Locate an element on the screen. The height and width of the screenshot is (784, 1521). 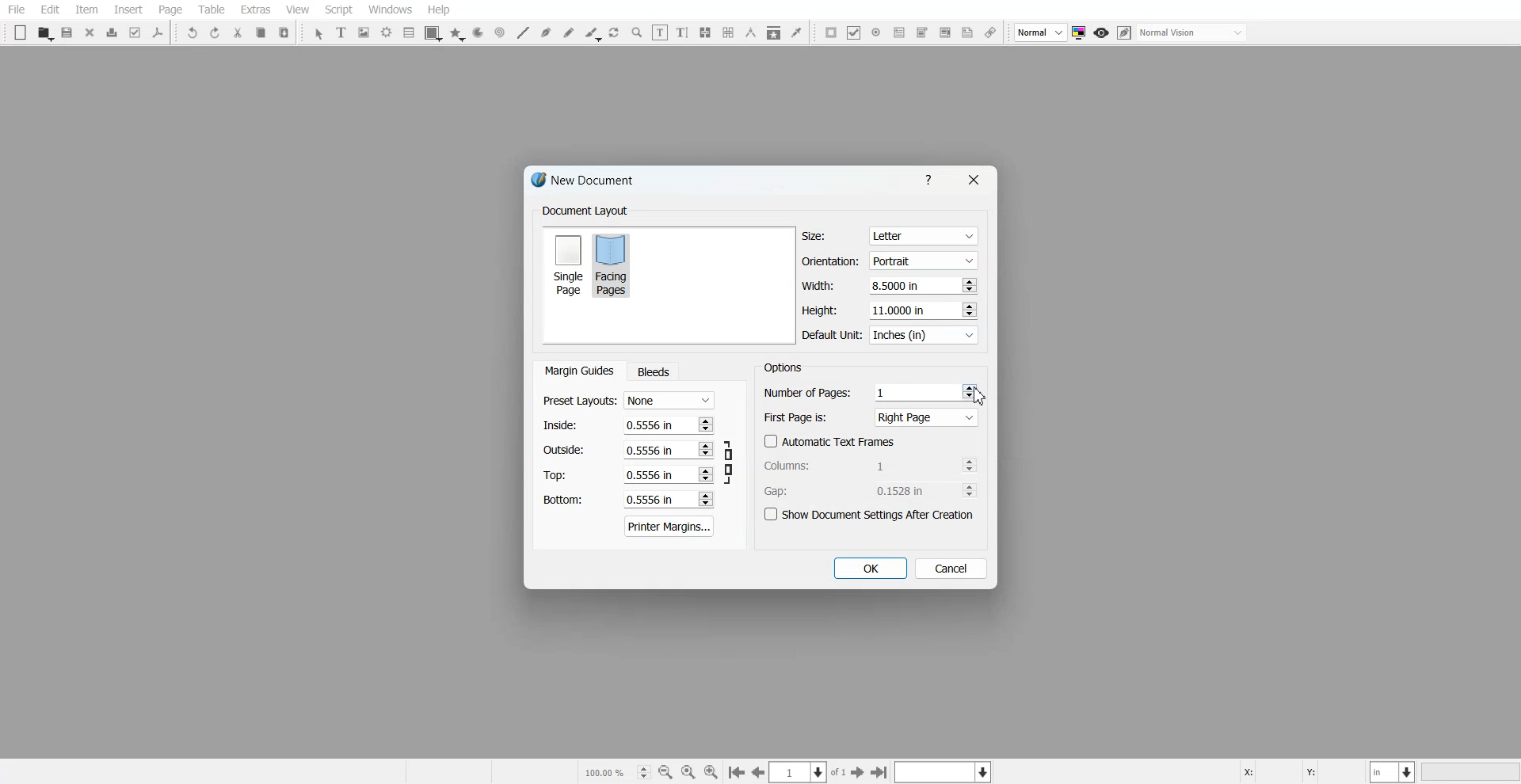
Text is located at coordinates (585, 211).